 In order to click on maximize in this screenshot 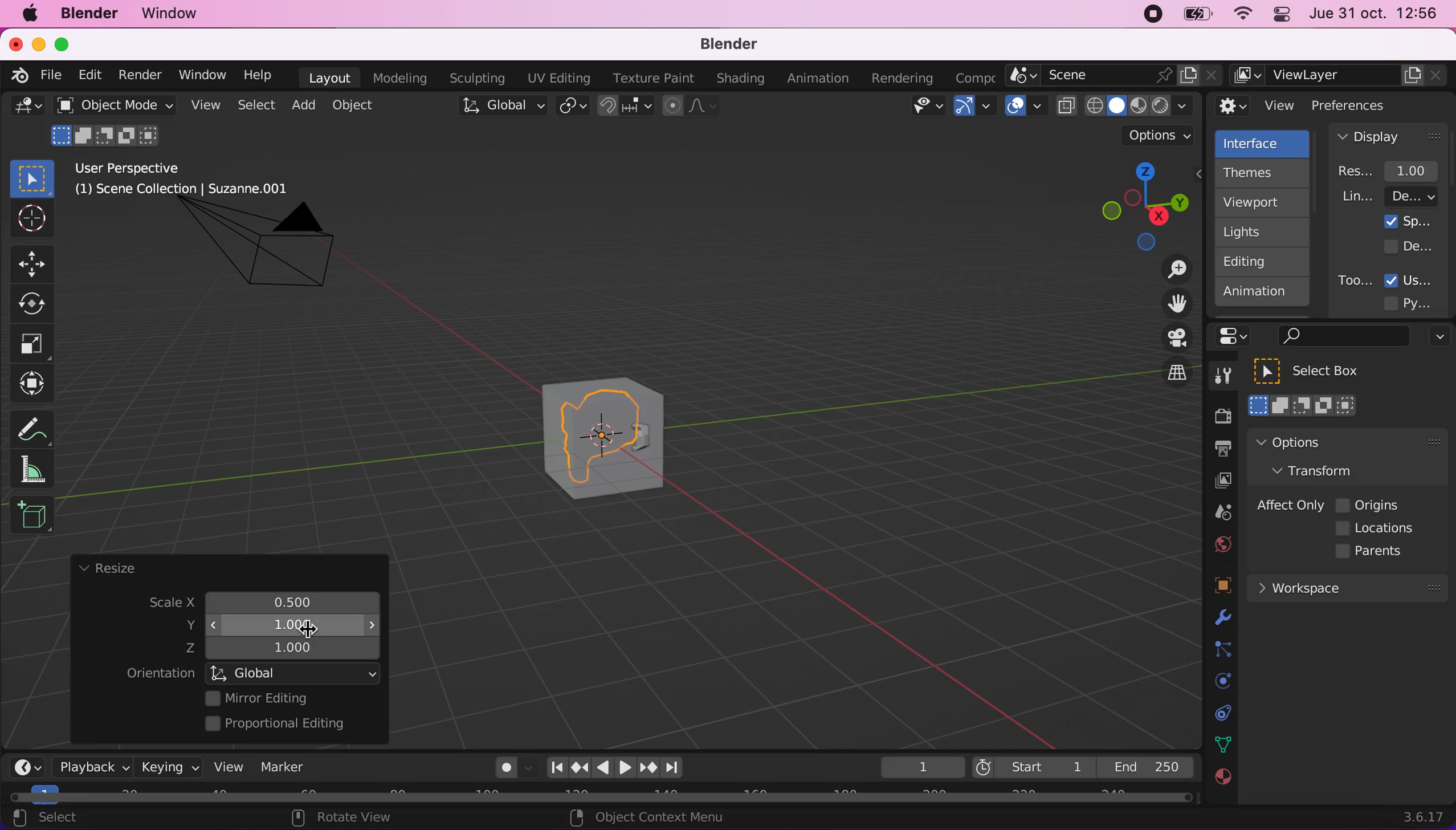, I will do `click(68, 44)`.